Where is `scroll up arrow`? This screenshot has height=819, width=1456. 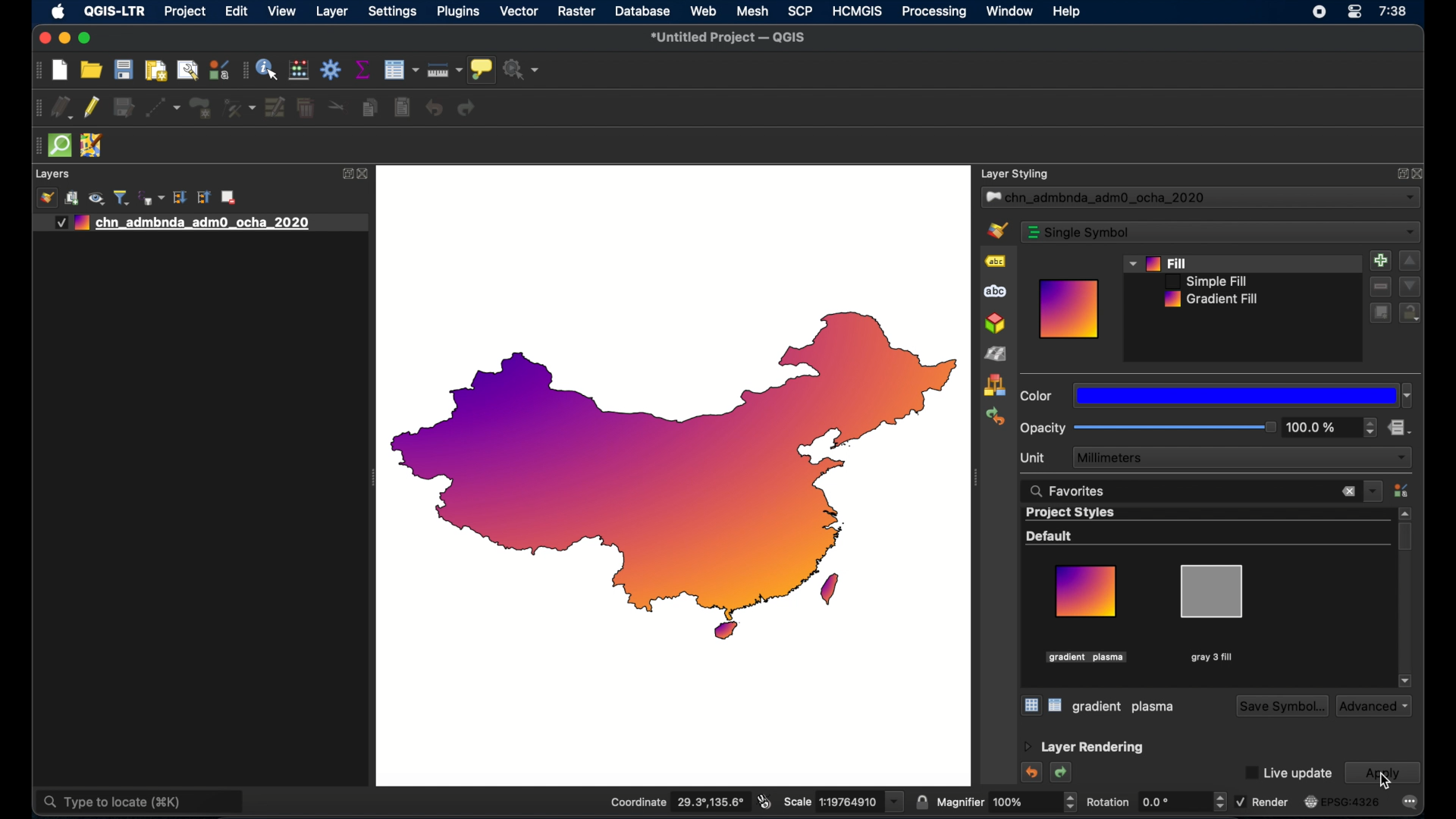 scroll up arrow is located at coordinates (1405, 513).